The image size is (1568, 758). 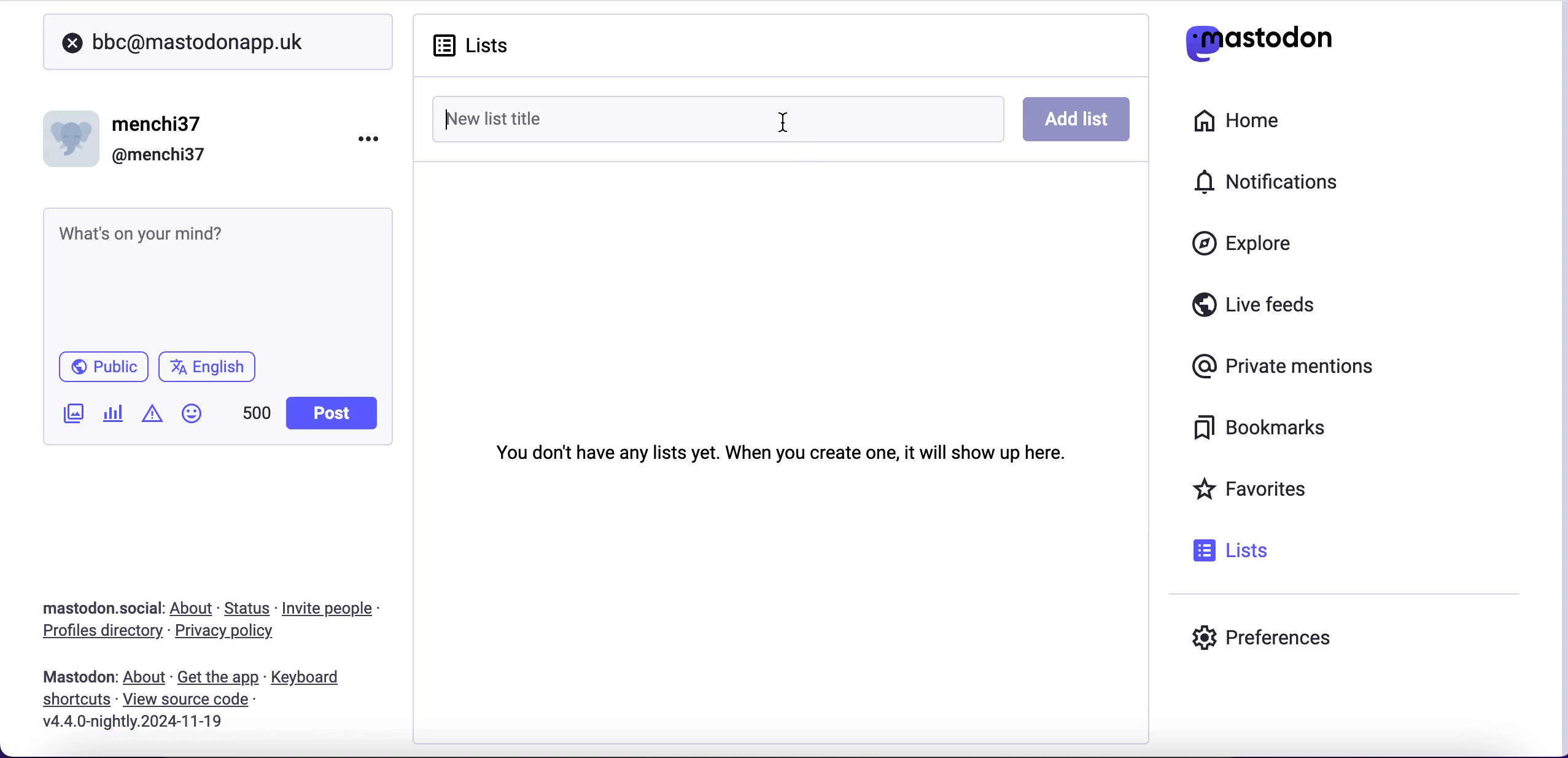 I want to click on new list title, so click(x=592, y=117).